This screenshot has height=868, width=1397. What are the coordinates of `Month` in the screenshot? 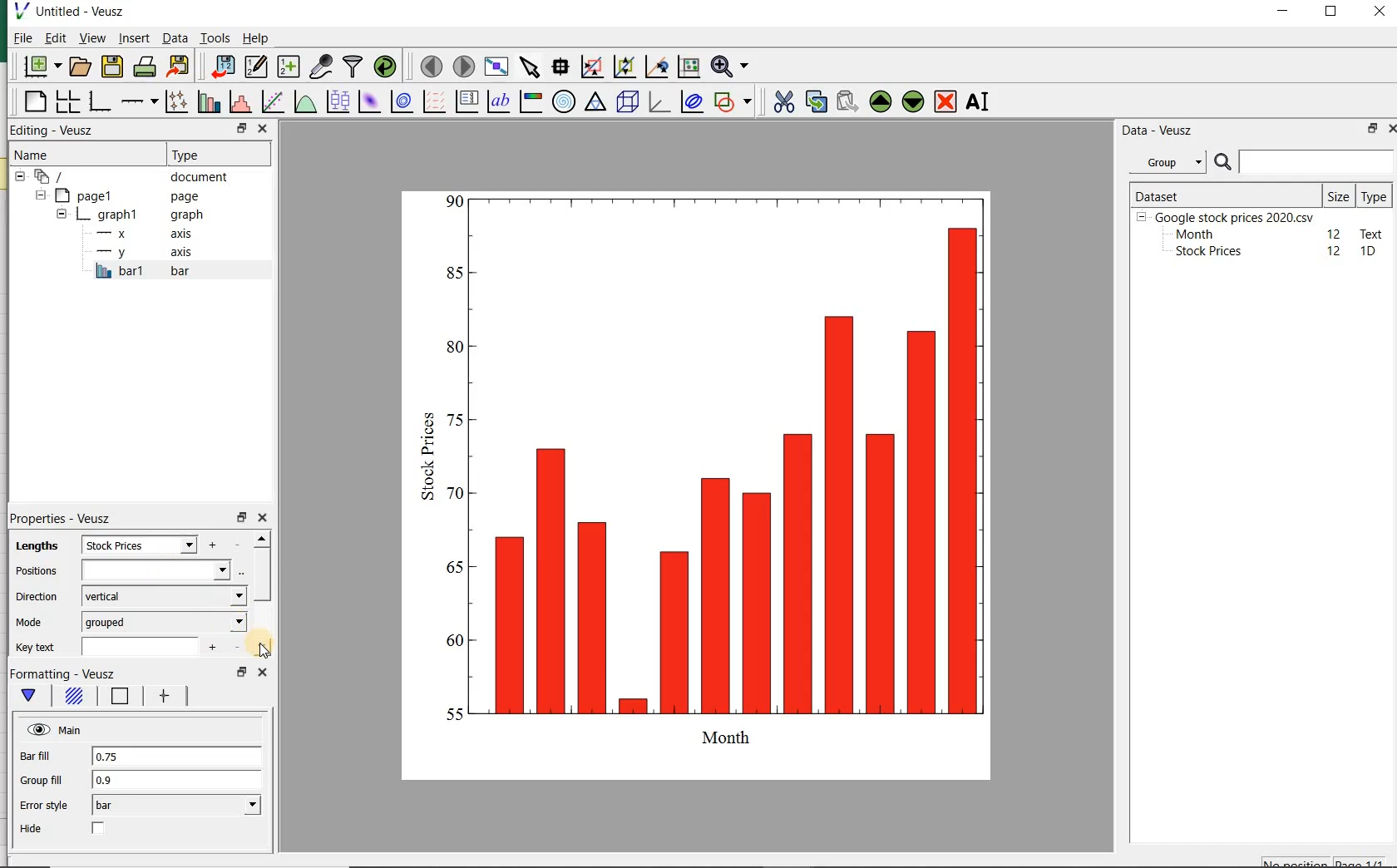 It's located at (1193, 234).